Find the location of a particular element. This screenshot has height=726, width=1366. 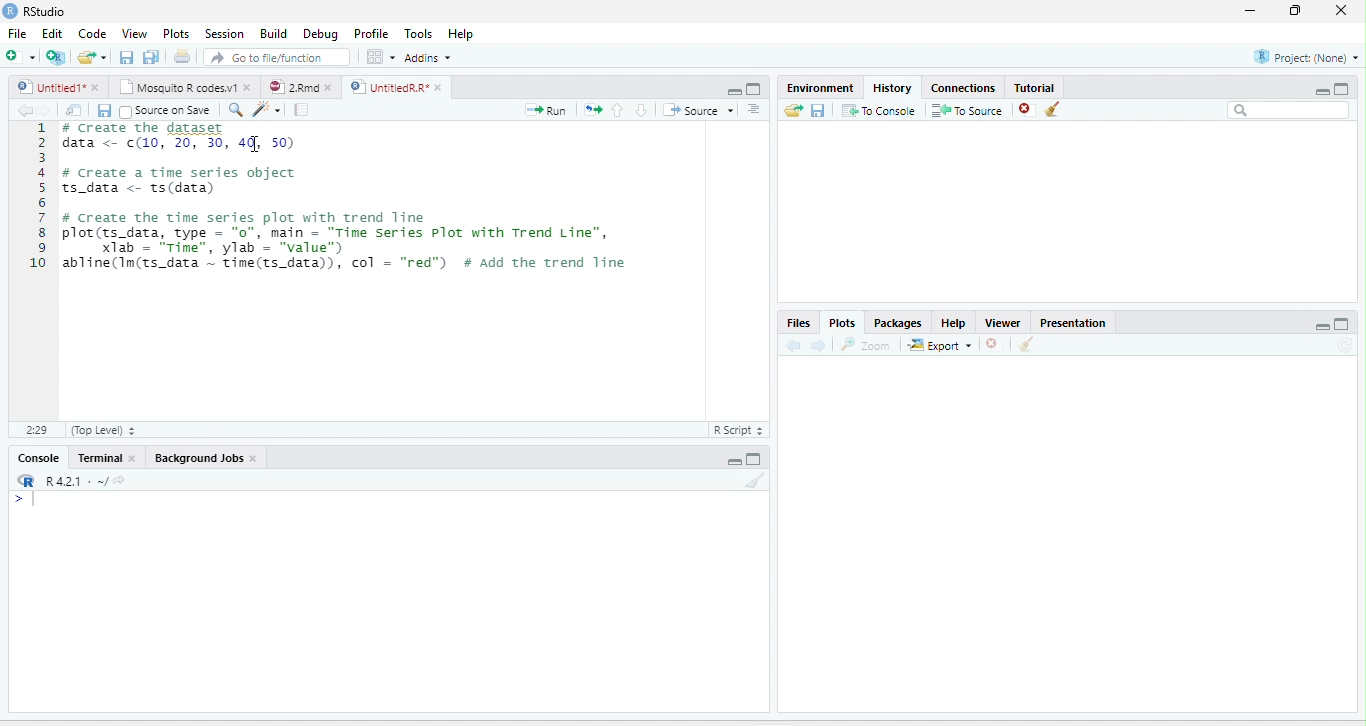

Session is located at coordinates (225, 33).